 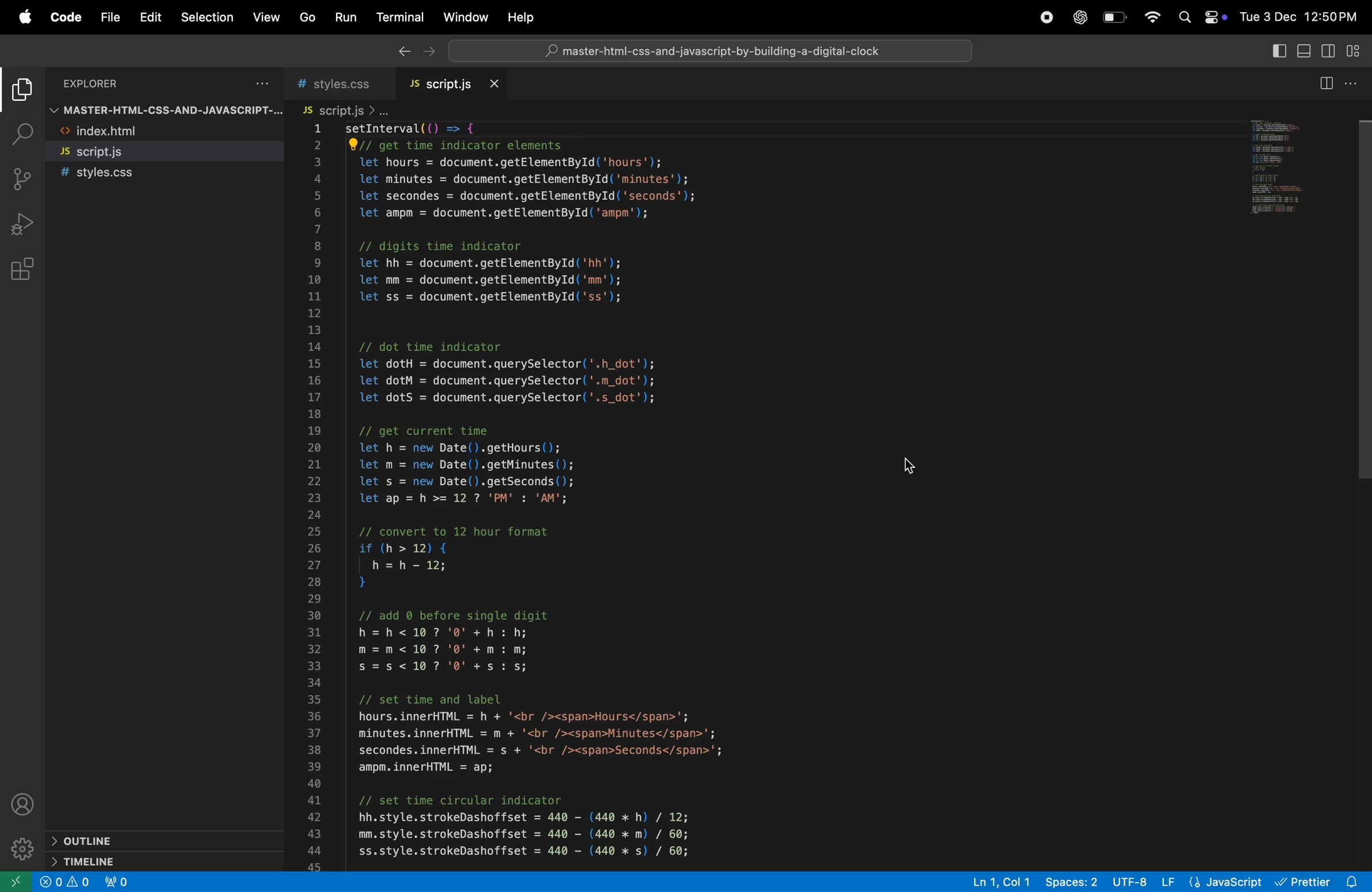 What do you see at coordinates (24, 17) in the screenshot?
I see `apple menu` at bounding box center [24, 17].